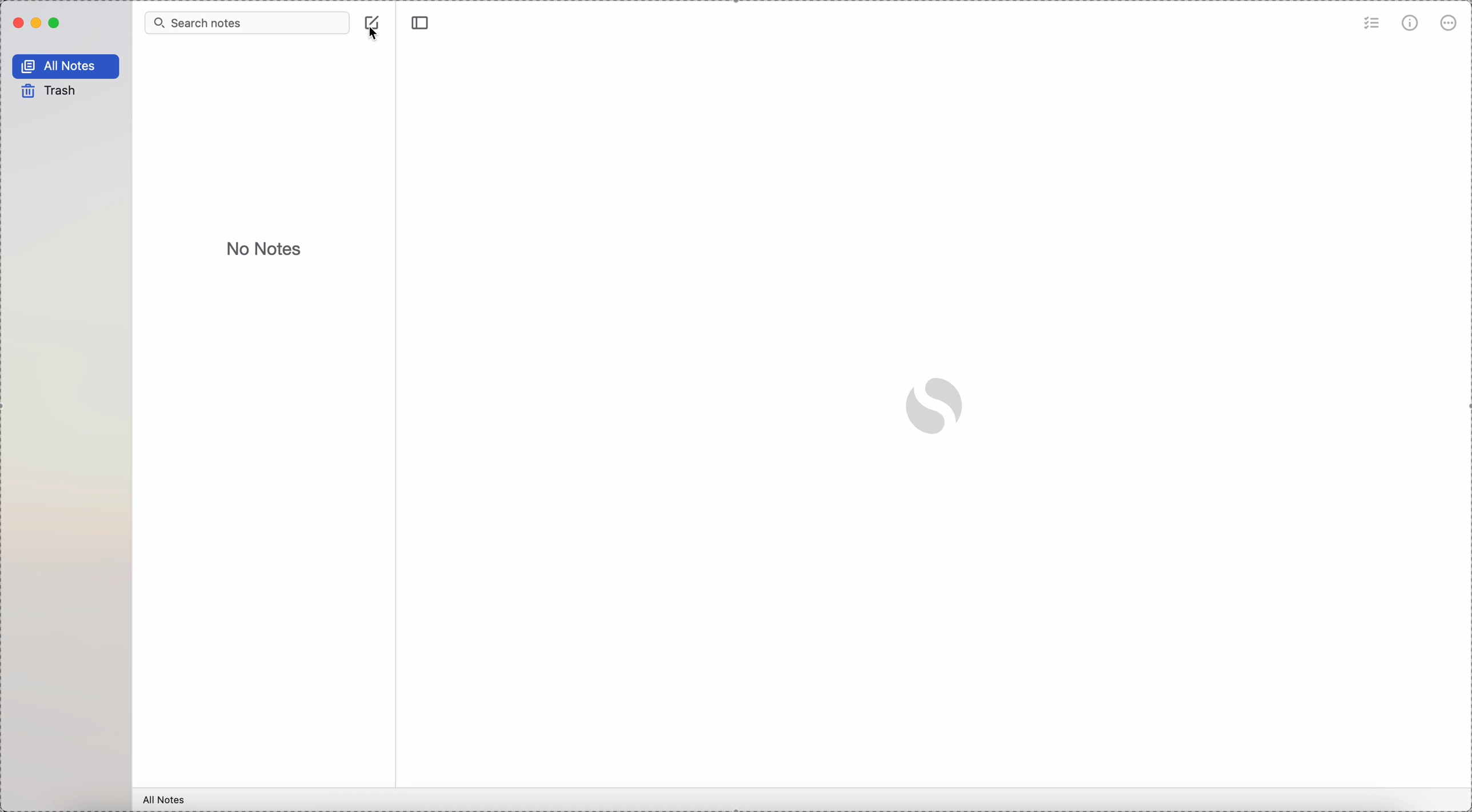  I want to click on more options, so click(1450, 23).